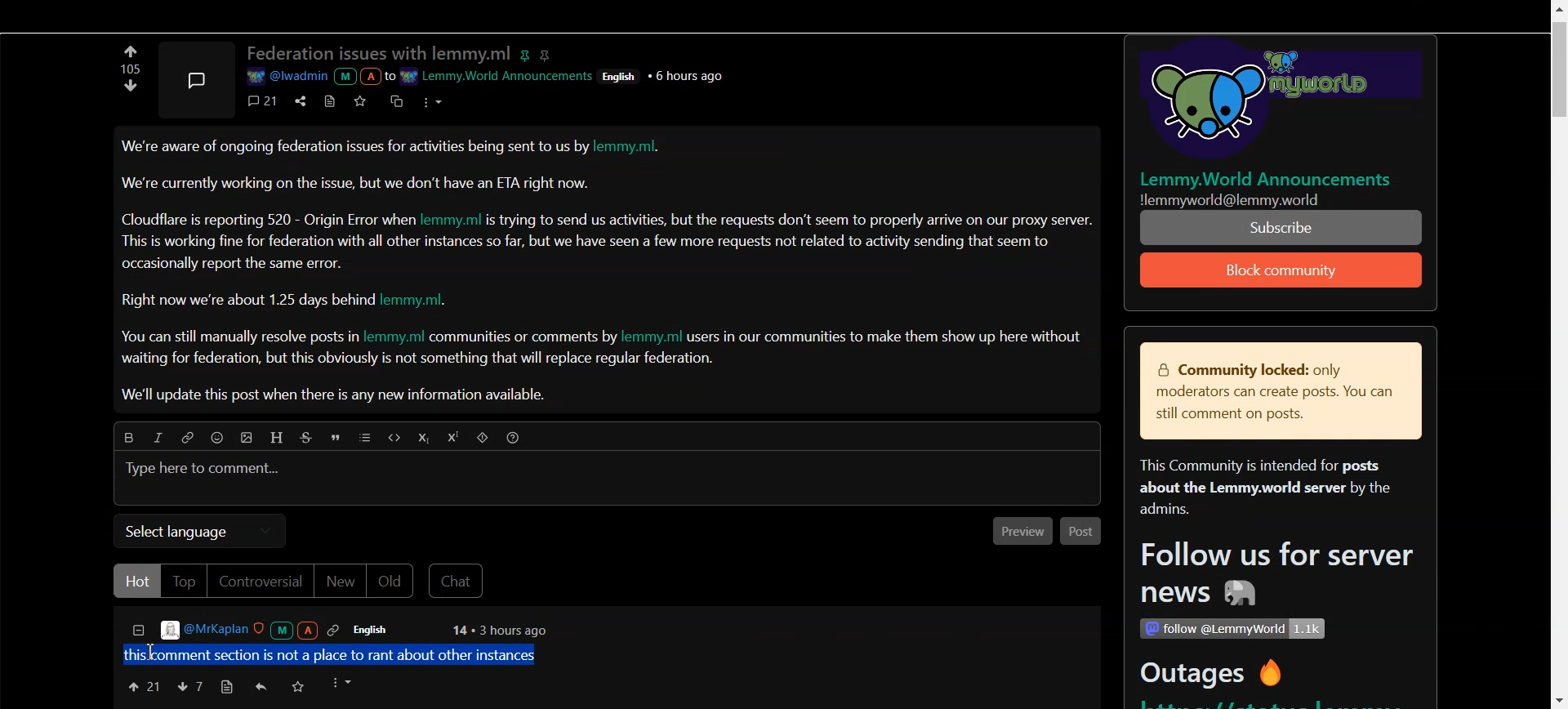 The height and width of the screenshot is (709, 1568). What do you see at coordinates (1081, 532) in the screenshot?
I see `Post` at bounding box center [1081, 532].